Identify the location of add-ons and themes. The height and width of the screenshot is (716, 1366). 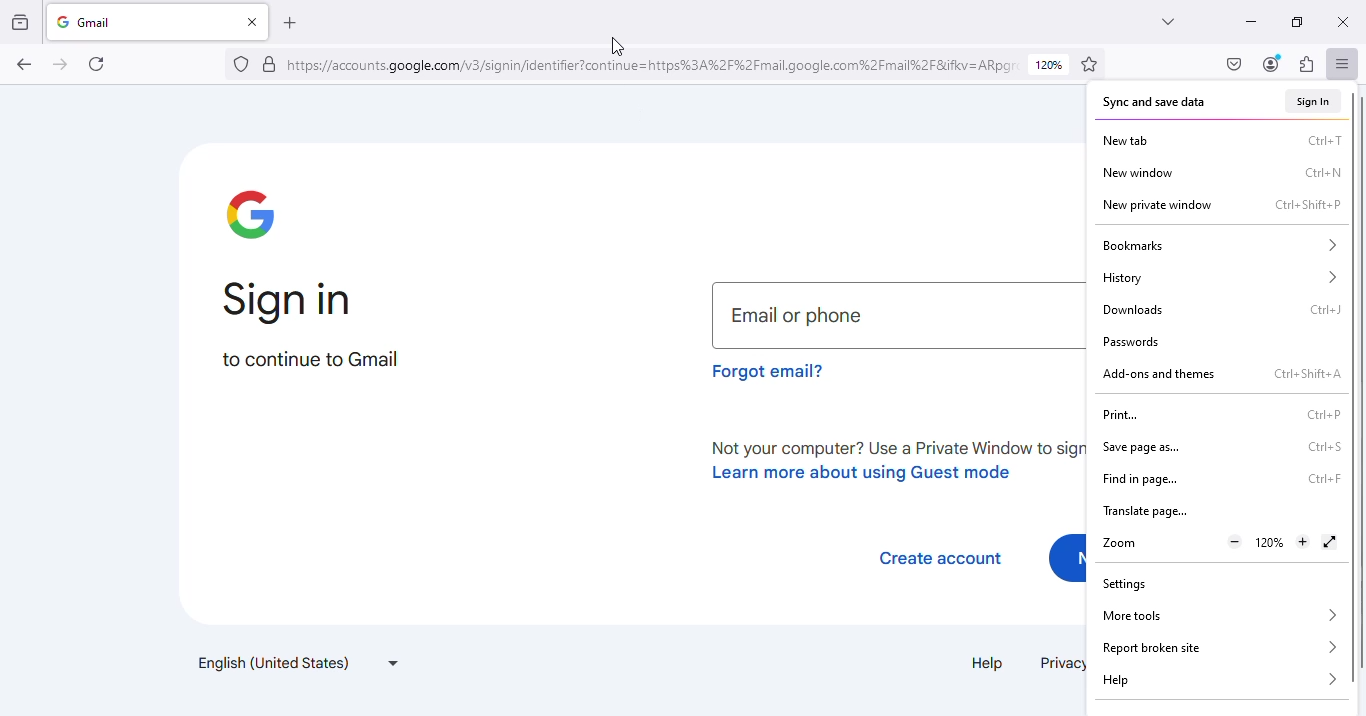
(1159, 375).